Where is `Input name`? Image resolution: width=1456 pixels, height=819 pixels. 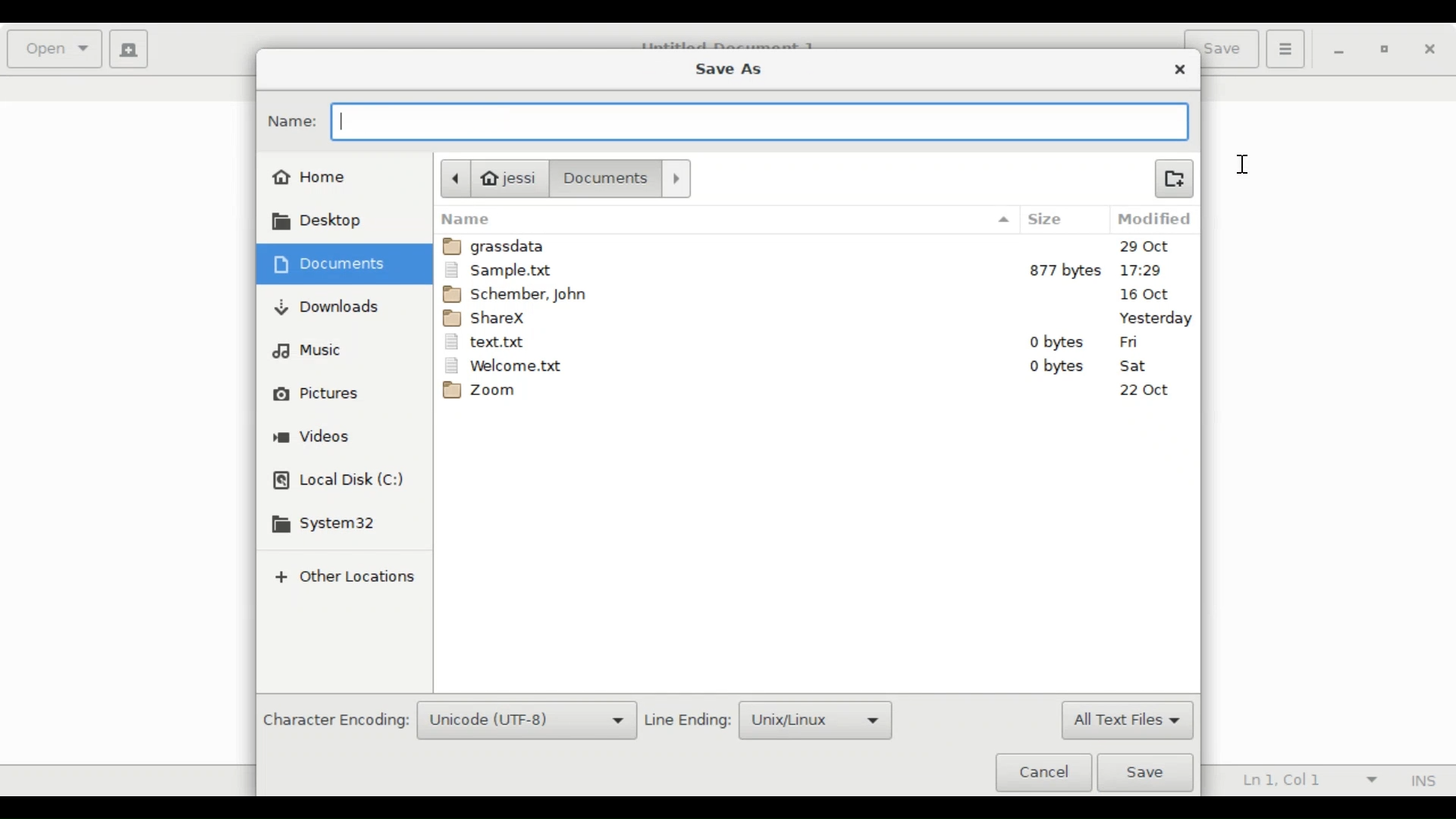 Input name is located at coordinates (757, 124).